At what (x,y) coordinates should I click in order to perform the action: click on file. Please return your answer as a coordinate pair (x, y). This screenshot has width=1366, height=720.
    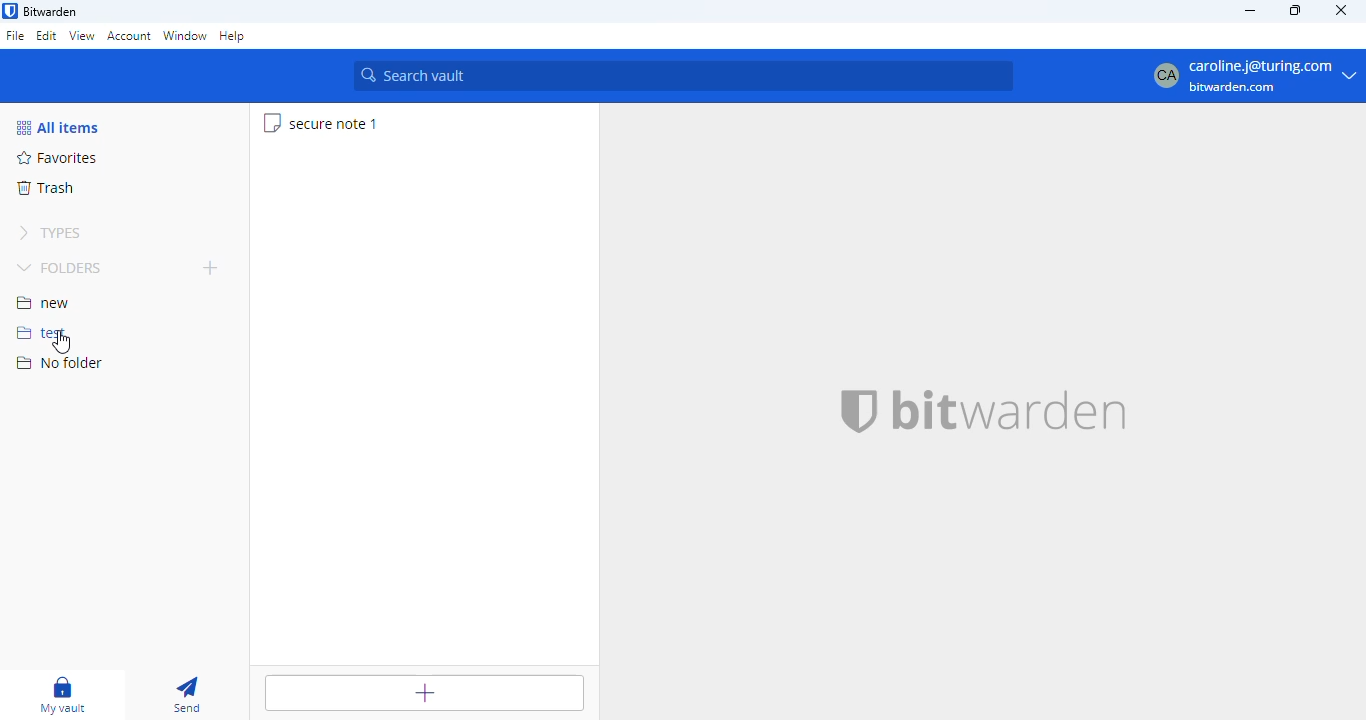
    Looking at the image, I should click on (16, 36).